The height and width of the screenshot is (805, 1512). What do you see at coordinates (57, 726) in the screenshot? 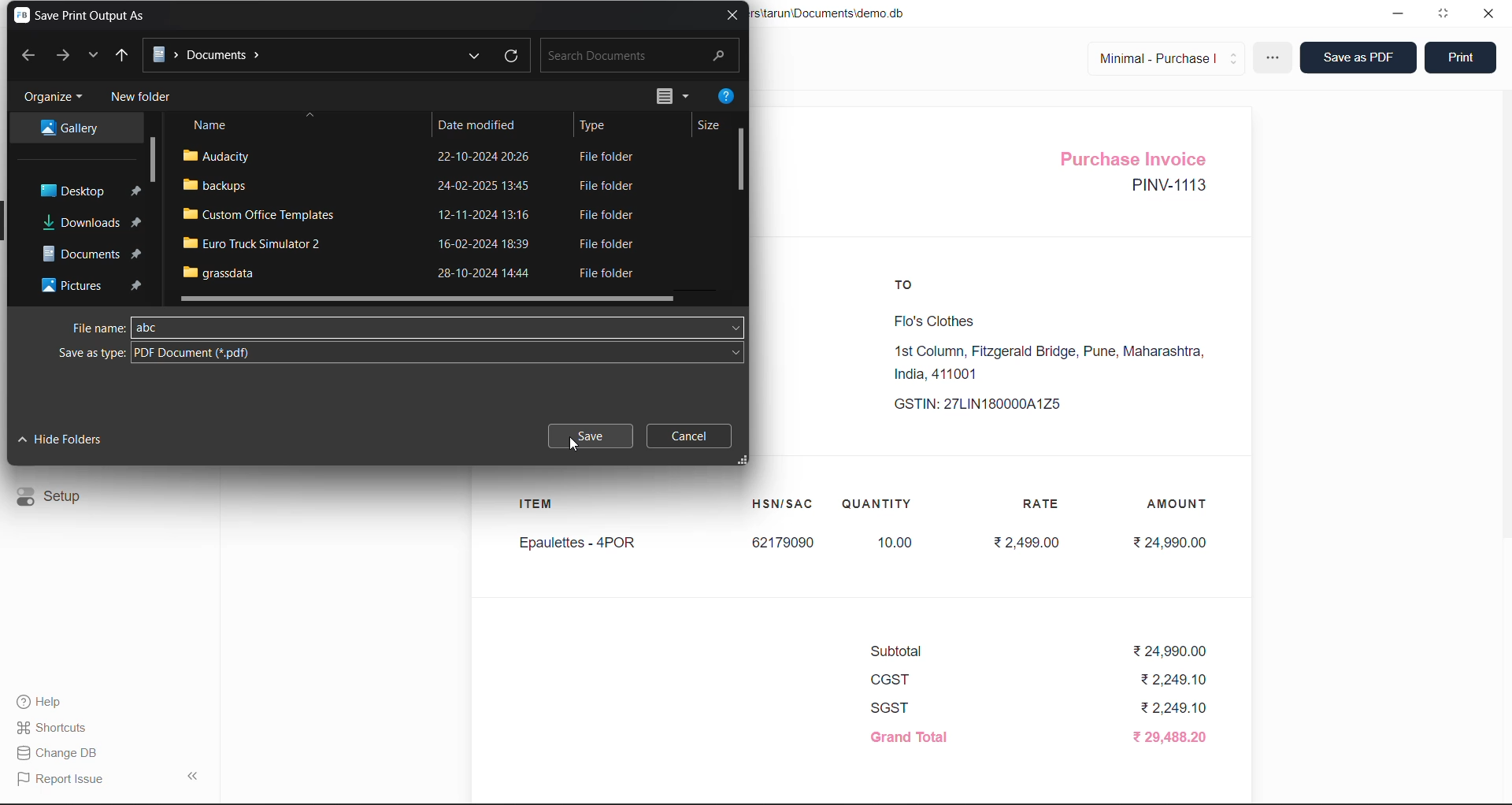
I see `Shortcuts.` at bounding box center [57, 726].